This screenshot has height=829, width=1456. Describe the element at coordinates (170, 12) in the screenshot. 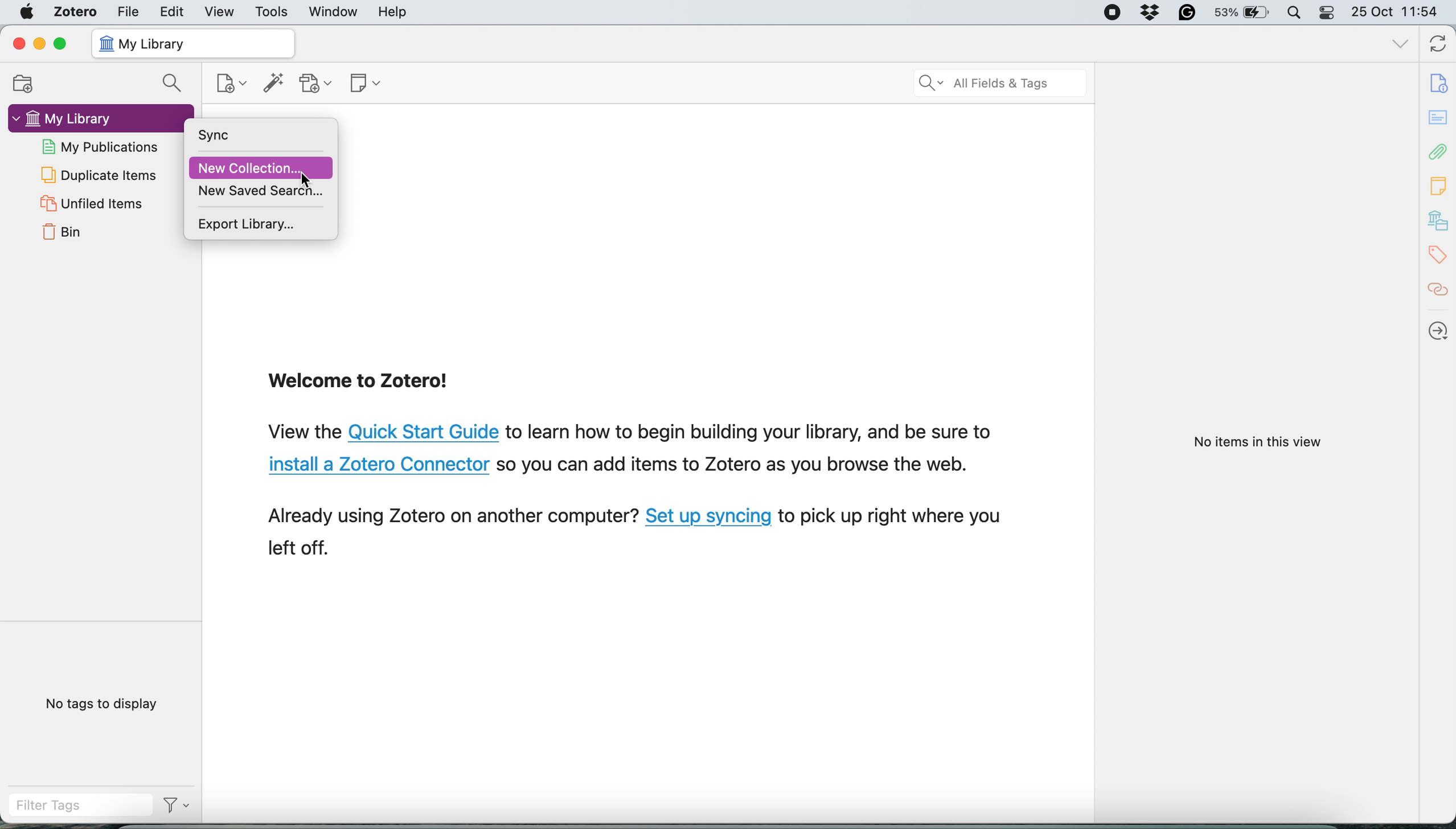

I see `edit` at that location.